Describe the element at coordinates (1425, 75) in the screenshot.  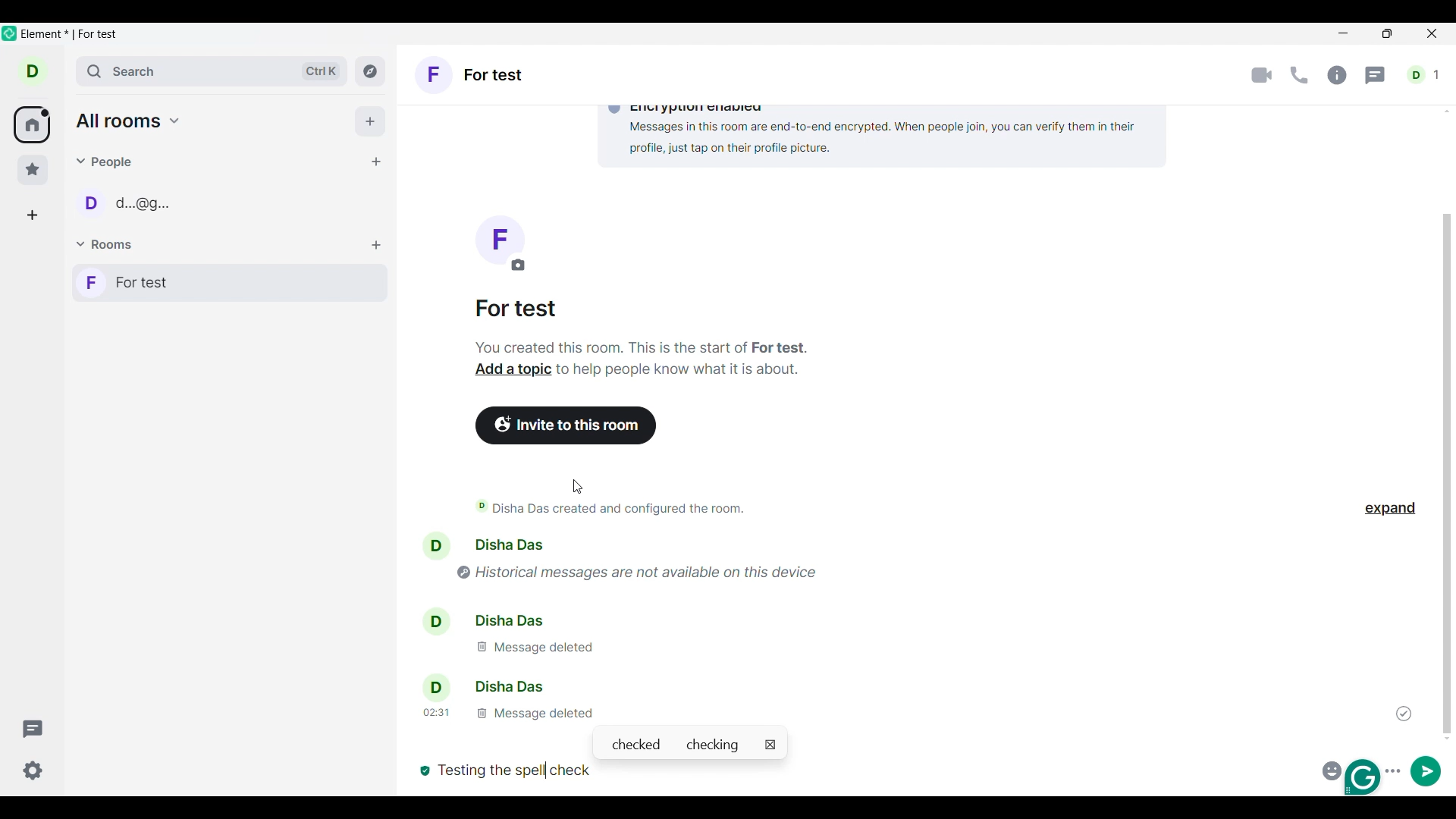
I see `d1` at that location.